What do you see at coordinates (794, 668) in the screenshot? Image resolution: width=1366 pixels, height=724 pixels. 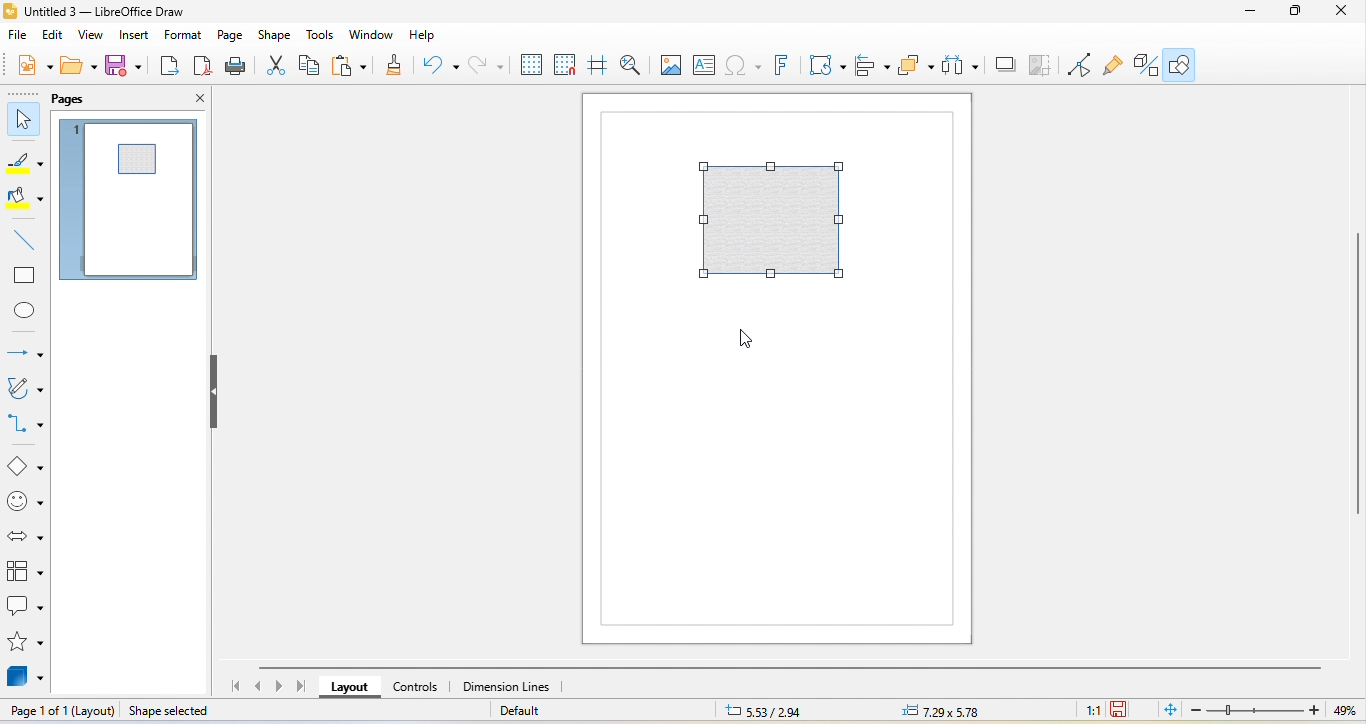 I see `horizontal scroll bar` at bounding box center [794, 668].